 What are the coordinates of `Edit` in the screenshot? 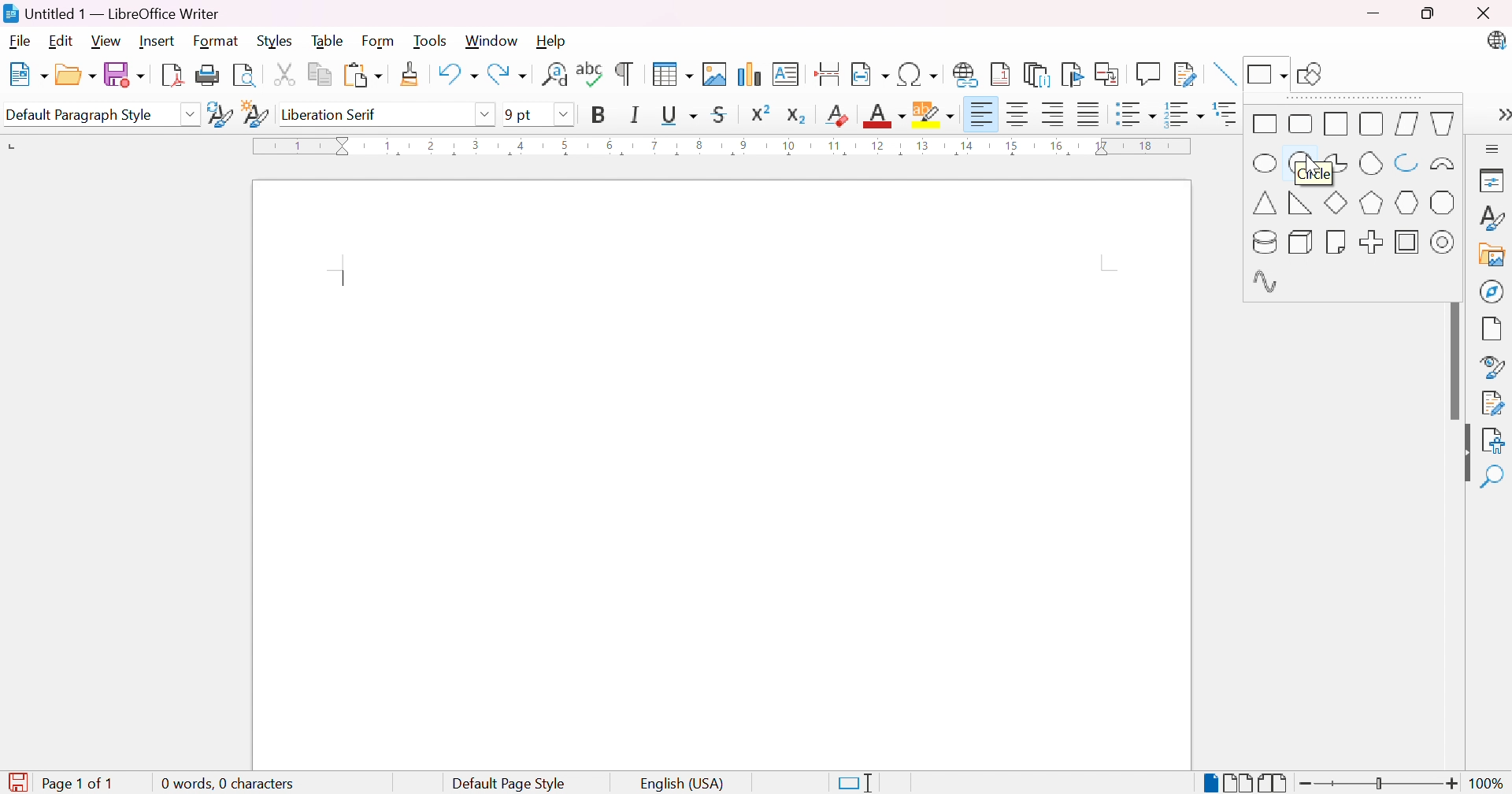 It's located at (61, 43).